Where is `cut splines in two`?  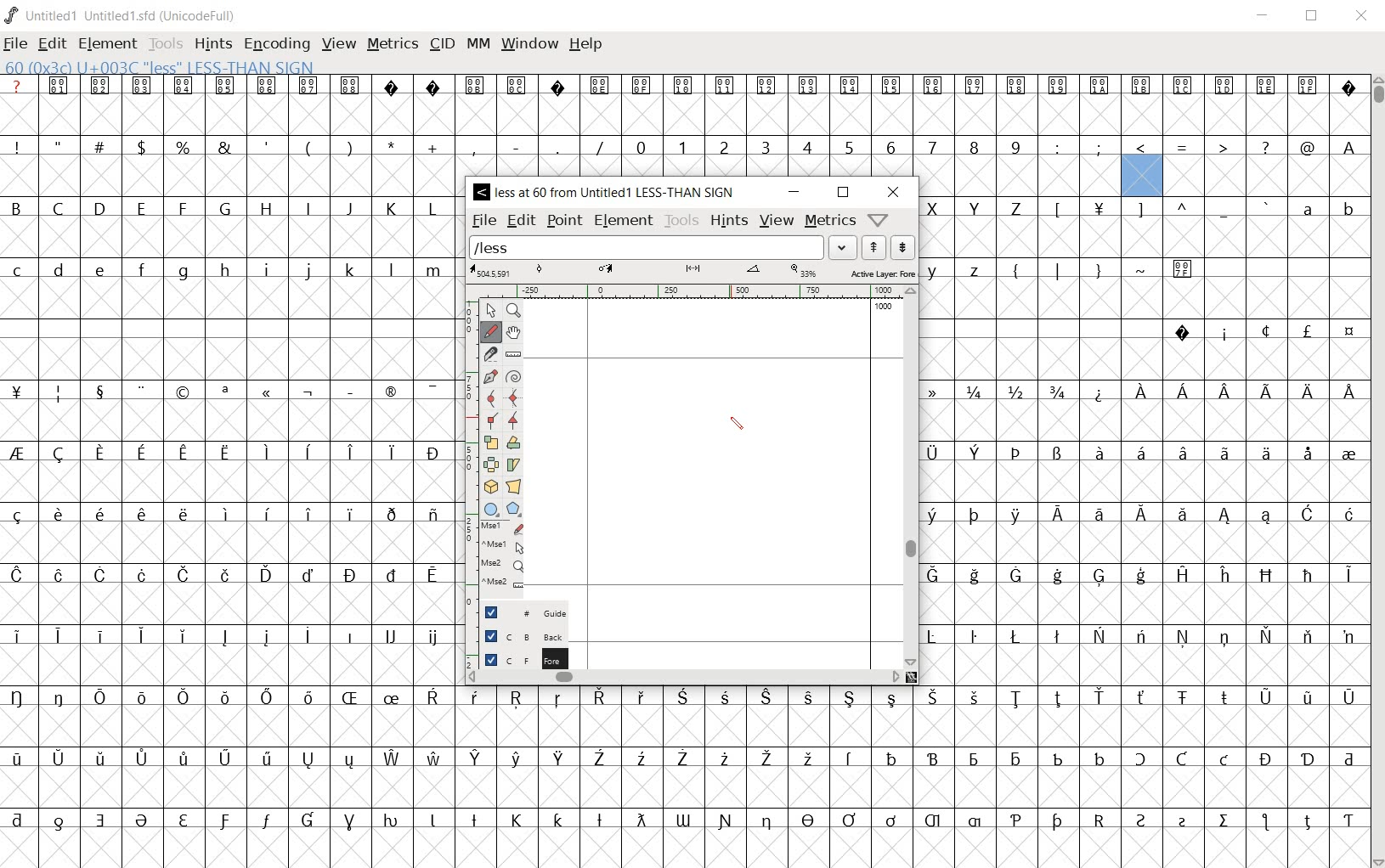
cut splines in two is located at coordinates (490, 353).